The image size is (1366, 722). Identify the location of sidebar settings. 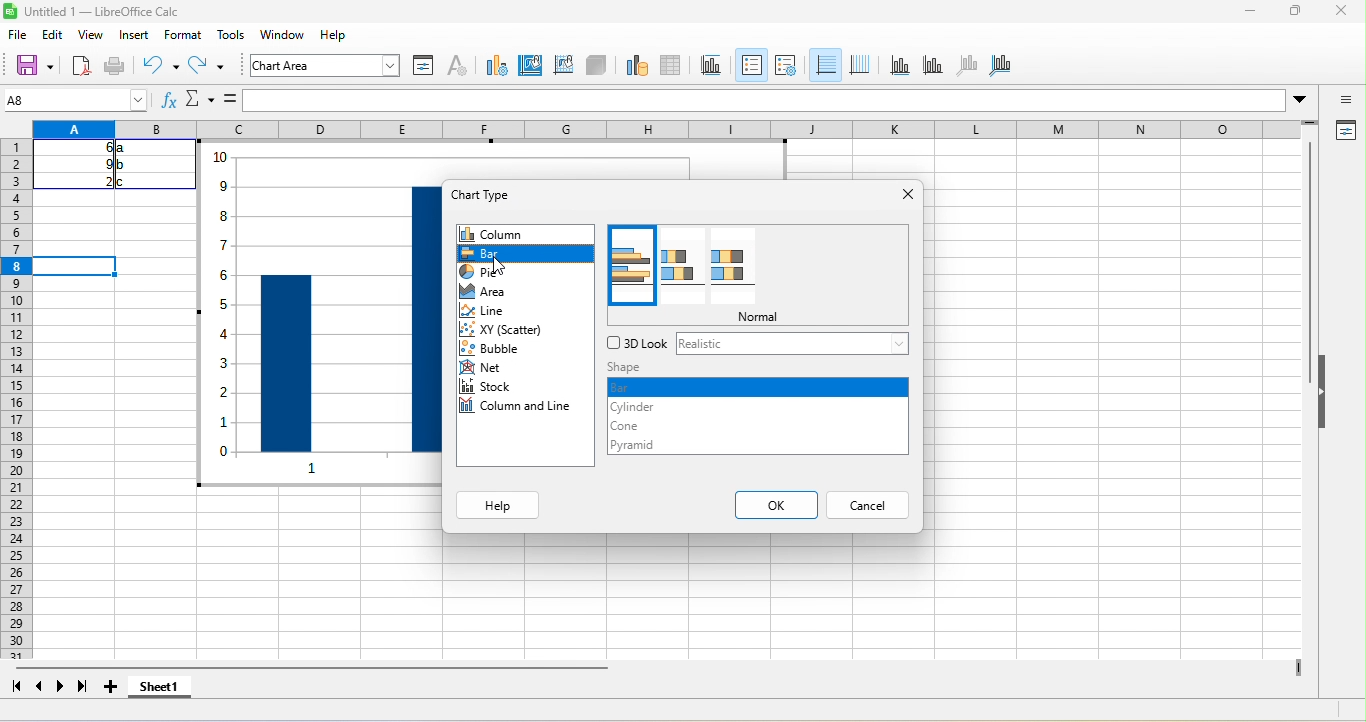
(1339, 102).